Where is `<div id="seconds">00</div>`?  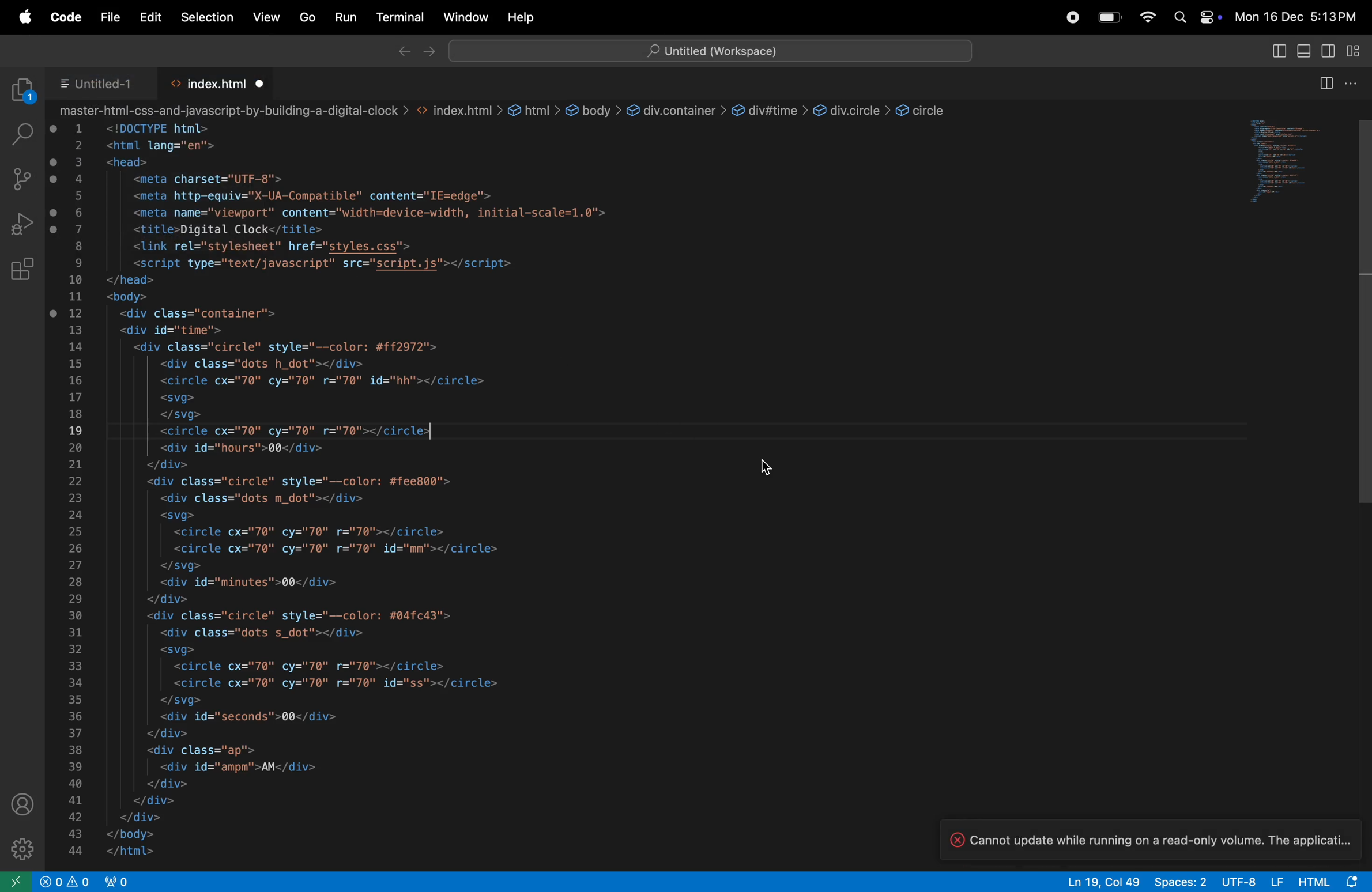
<div id="seconds">00</div> is located at coordinates (251, 717).